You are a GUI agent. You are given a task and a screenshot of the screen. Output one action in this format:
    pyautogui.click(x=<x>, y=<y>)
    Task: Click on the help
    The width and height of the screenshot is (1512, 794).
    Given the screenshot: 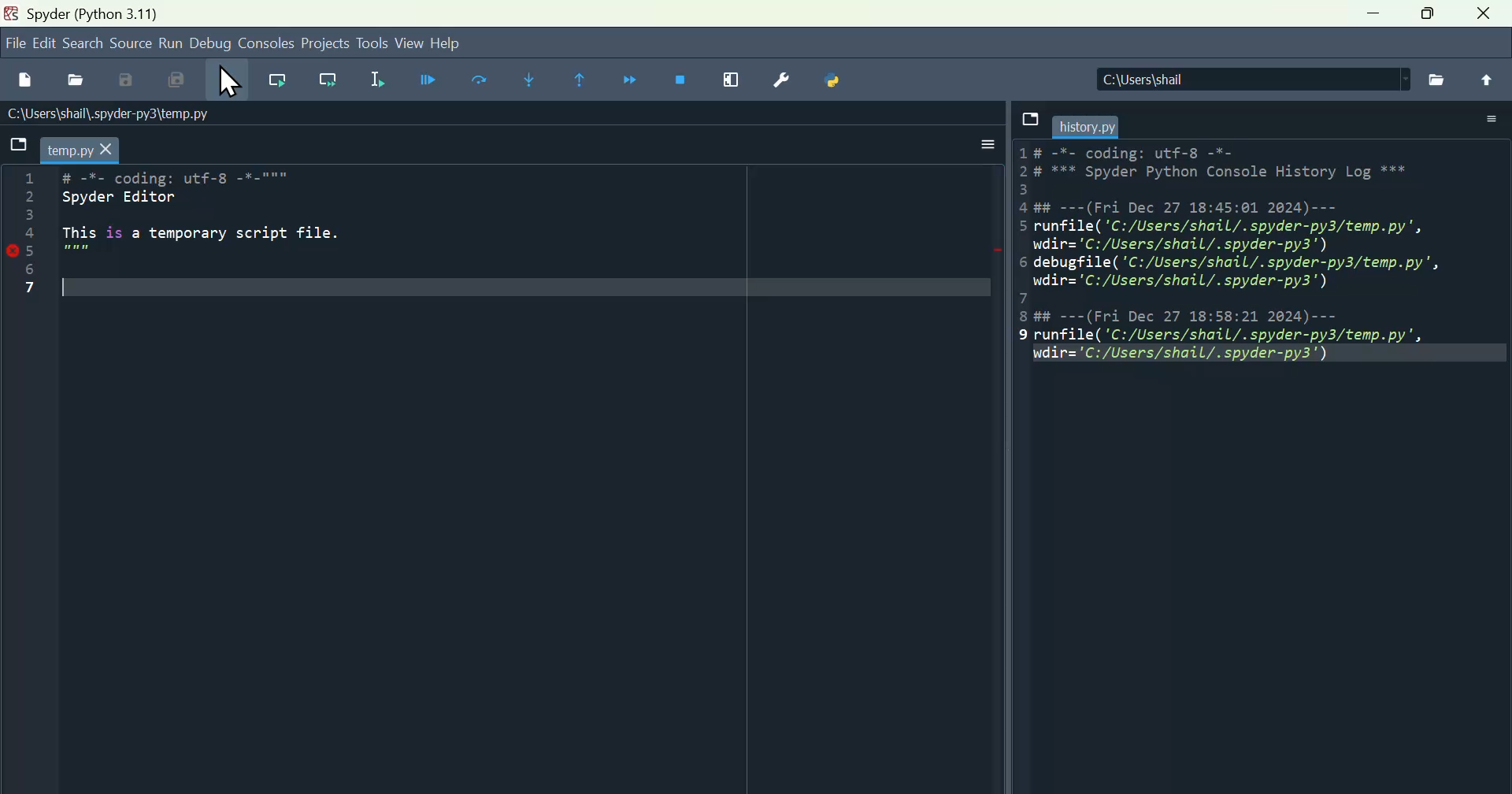 What is the action you would take?
    pyautogui.click(x=449, y=42)
    